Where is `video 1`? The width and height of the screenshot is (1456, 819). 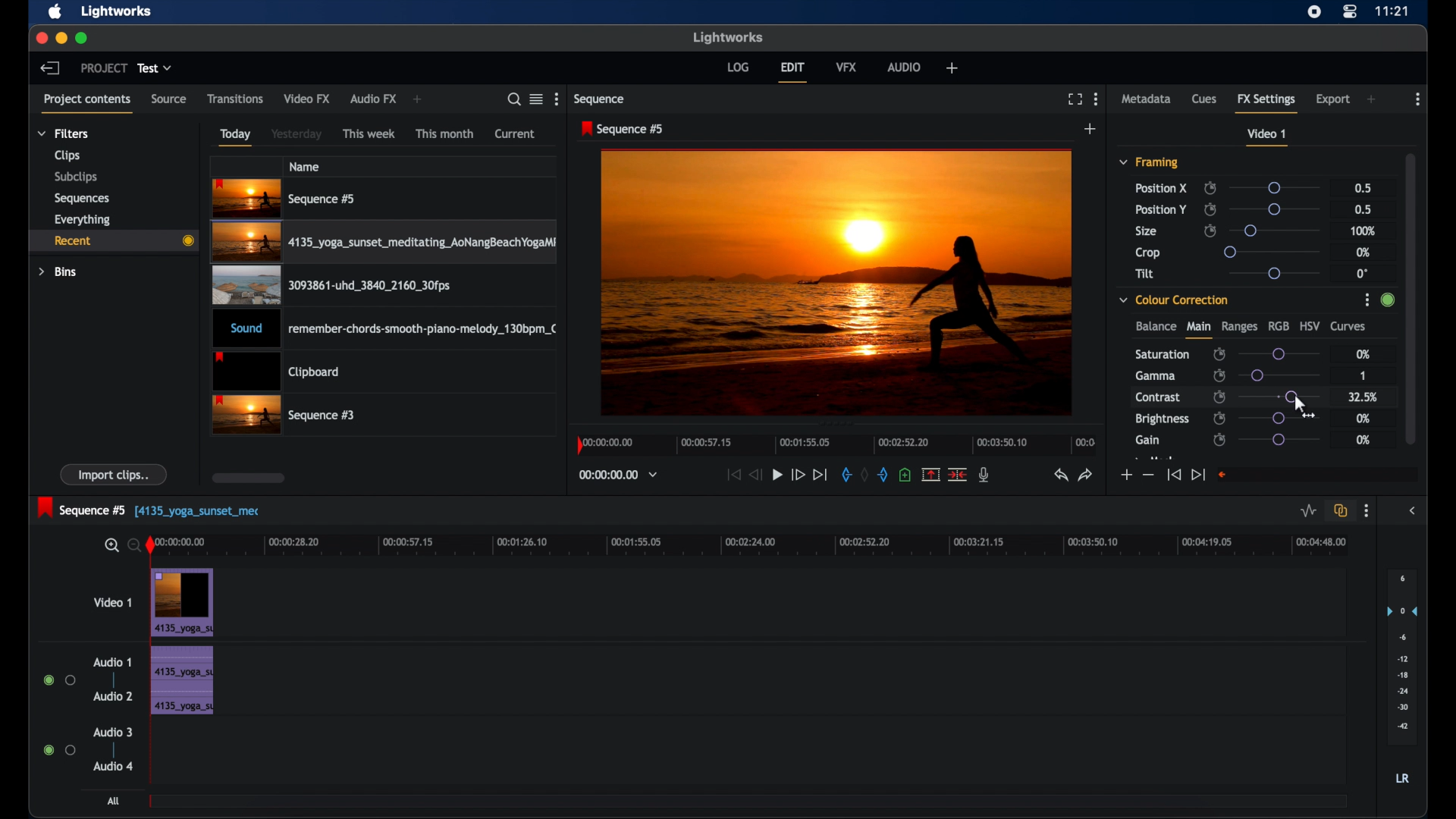 video 1 is located at coordinates (1266, 137).